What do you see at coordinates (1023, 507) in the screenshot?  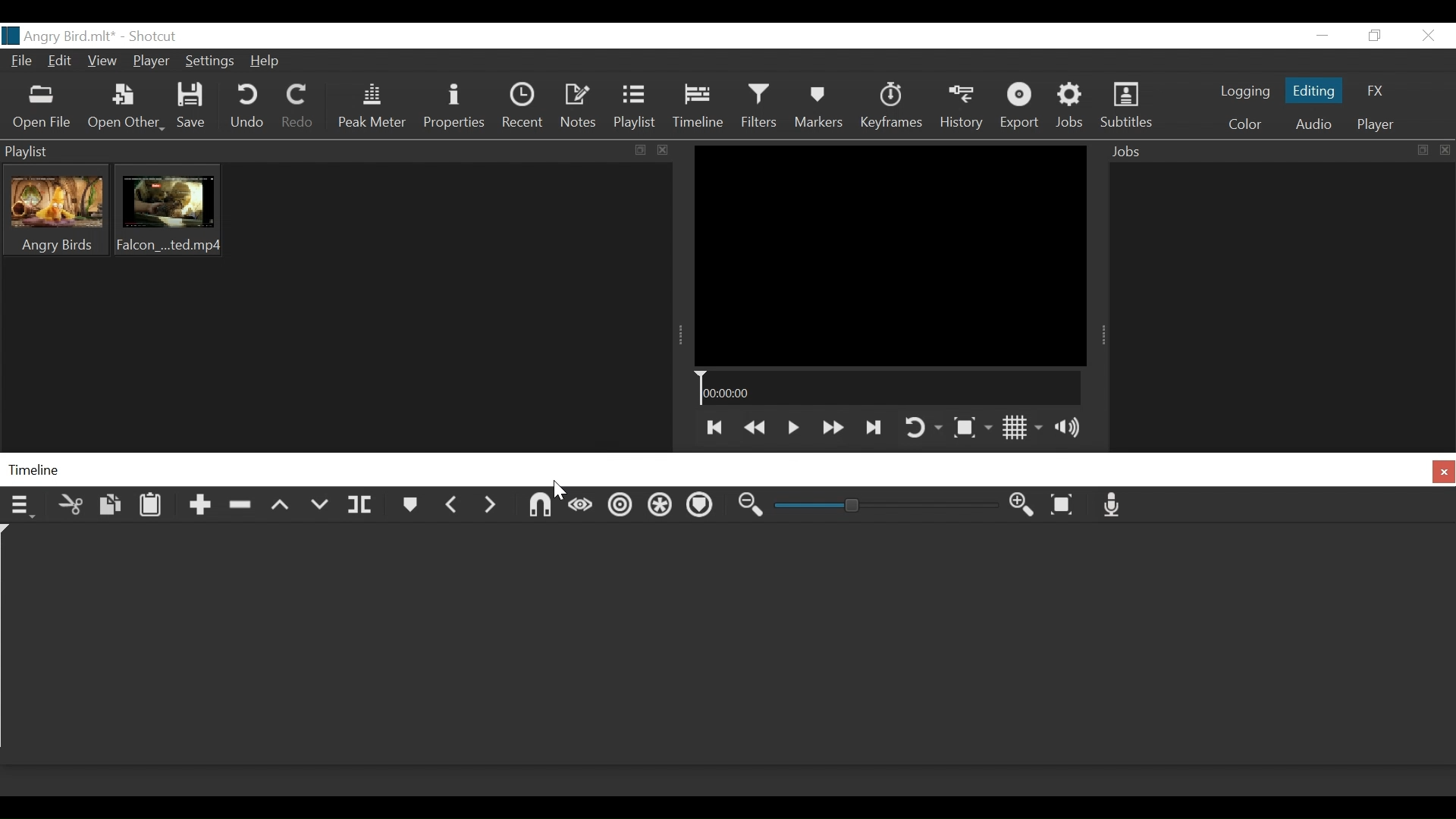 I see `Zoom timeline out` at bounding box center [1023, 507].